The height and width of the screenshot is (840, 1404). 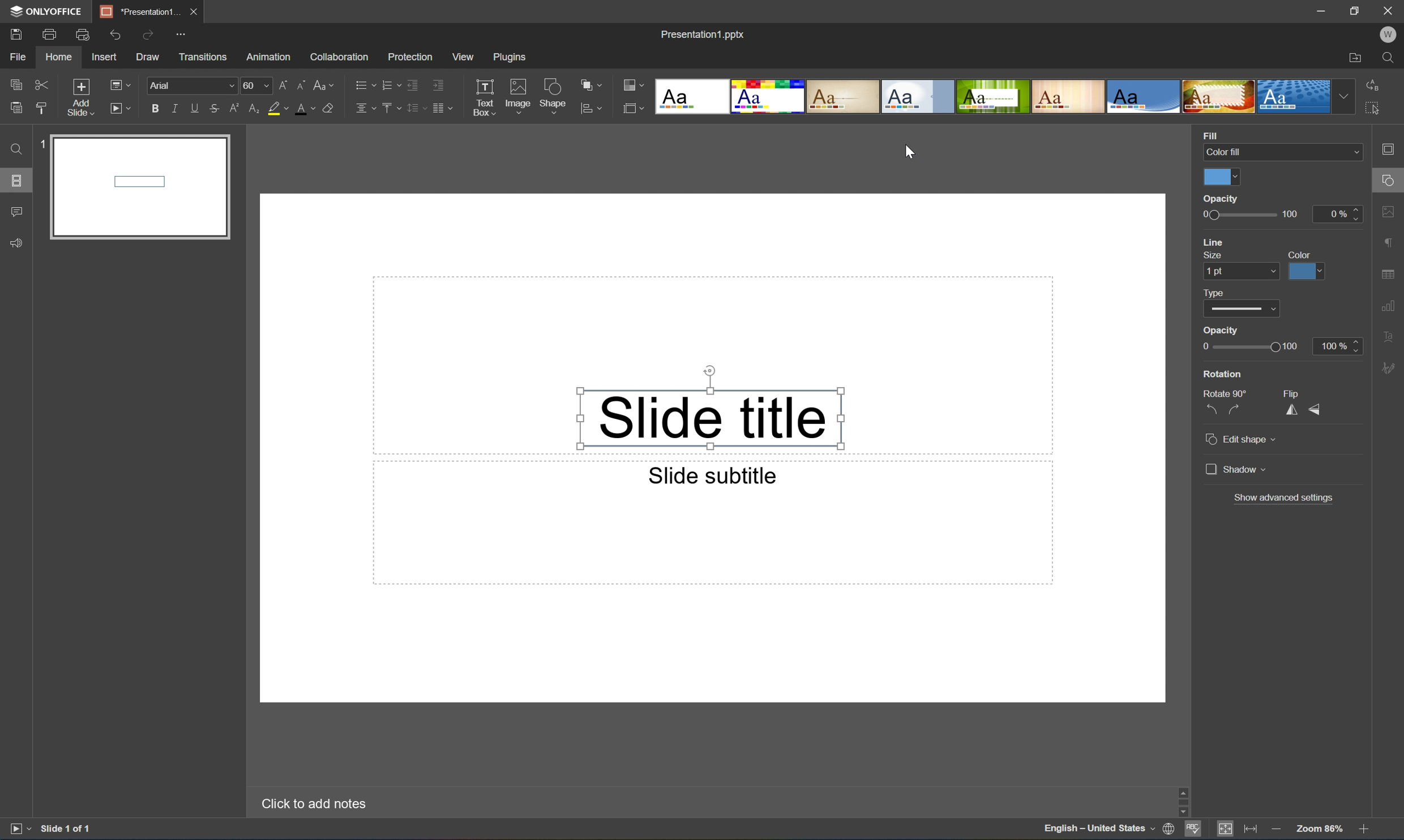 What do you see at coordinates (440, 83) in the screenshot?
I see `Increase indent` at bounding box center [440, 83].